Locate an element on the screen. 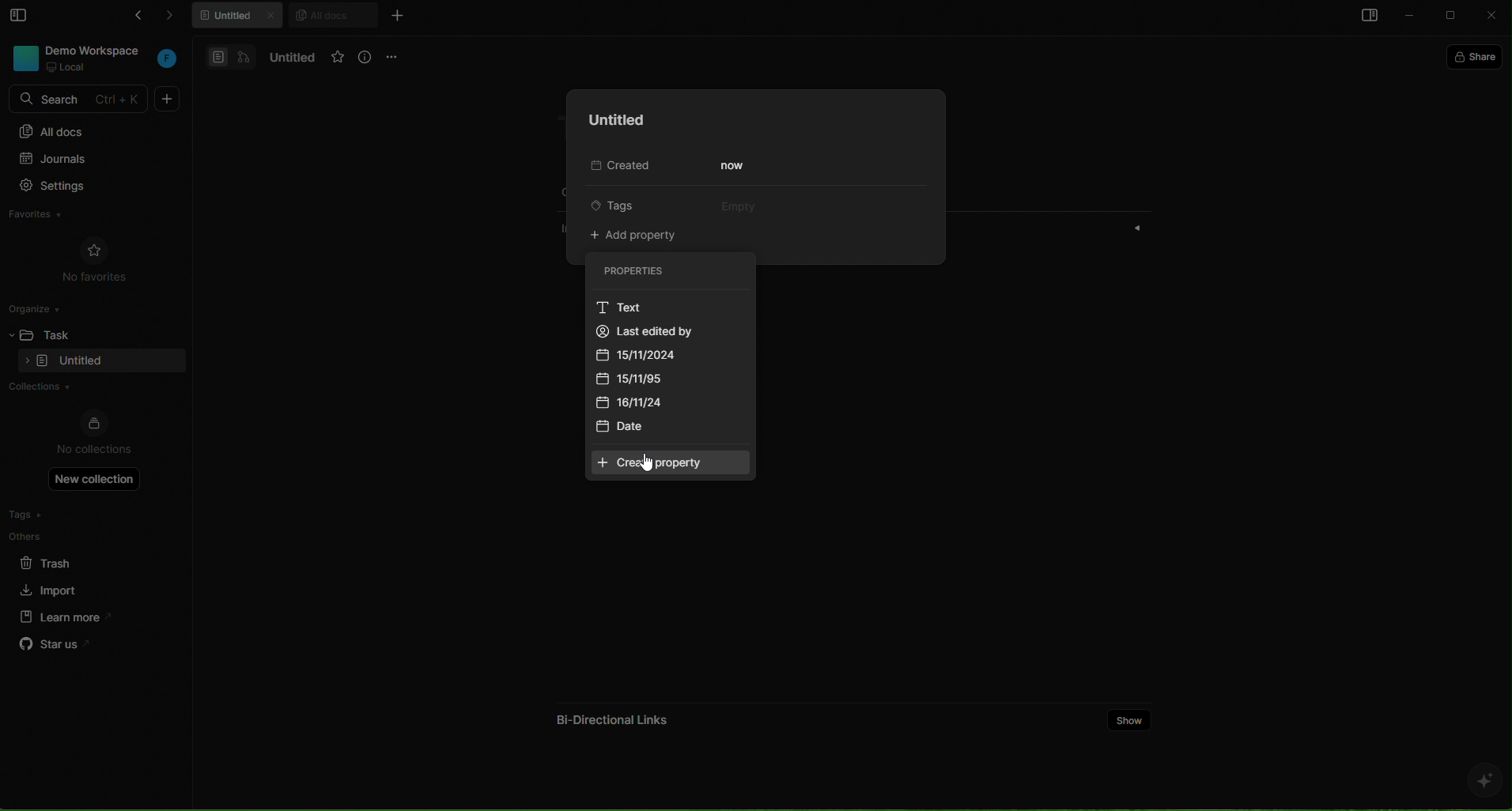 The height and width of the screenshot is (811, 1512). organize is located at coordinates (40, 307).